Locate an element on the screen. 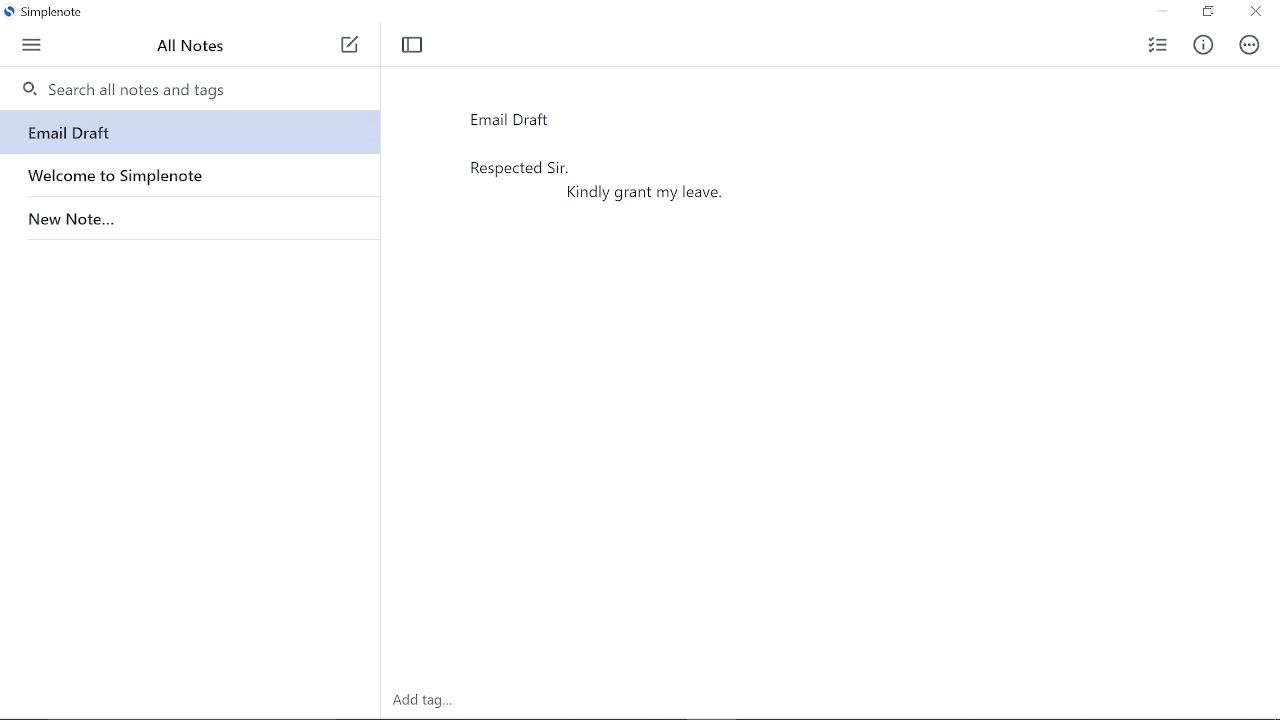  New Note... is located at coordinates (69, 215).